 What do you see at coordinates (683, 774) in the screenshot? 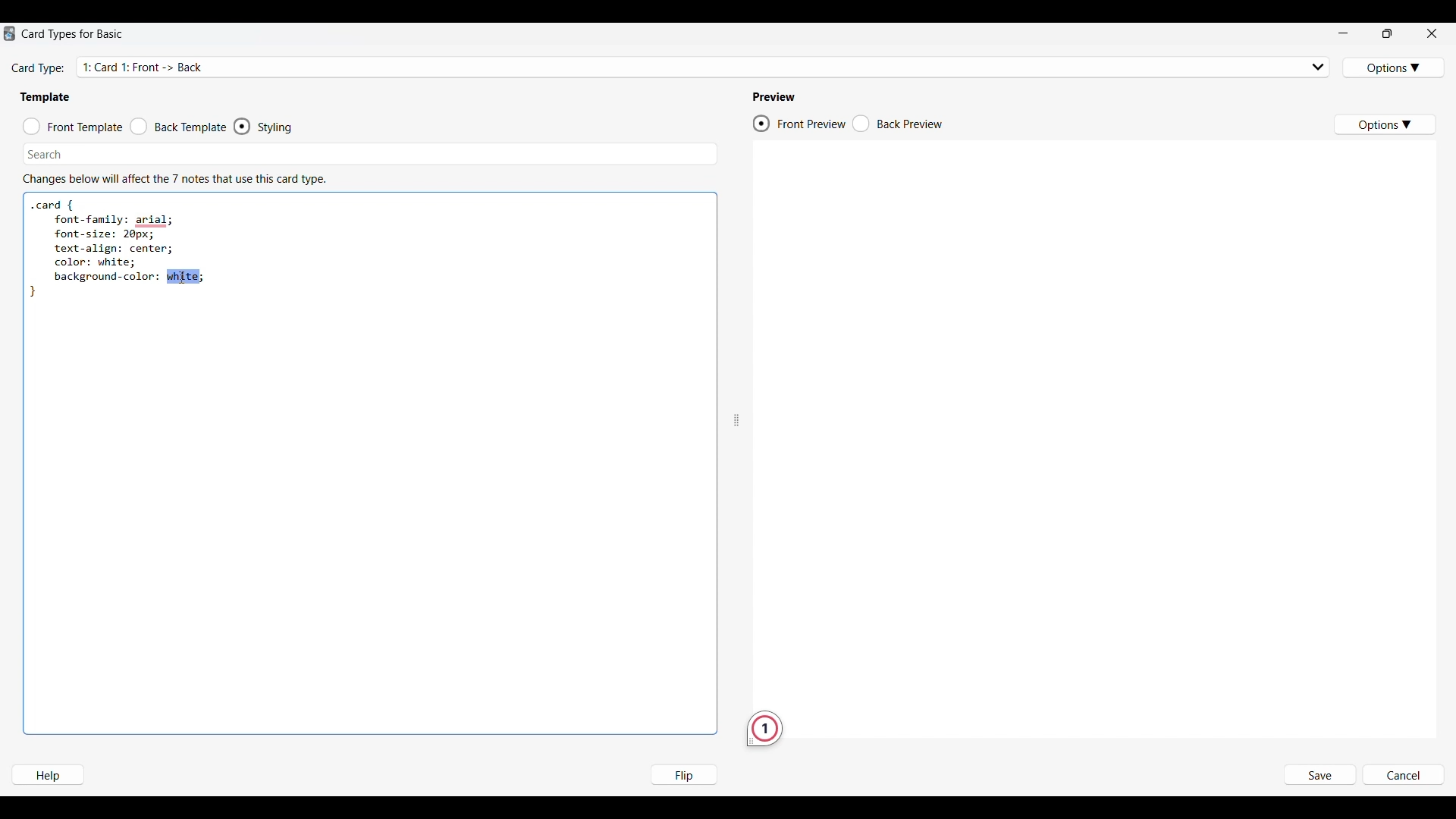
I see `Flip` at bounding box center [683, 774].